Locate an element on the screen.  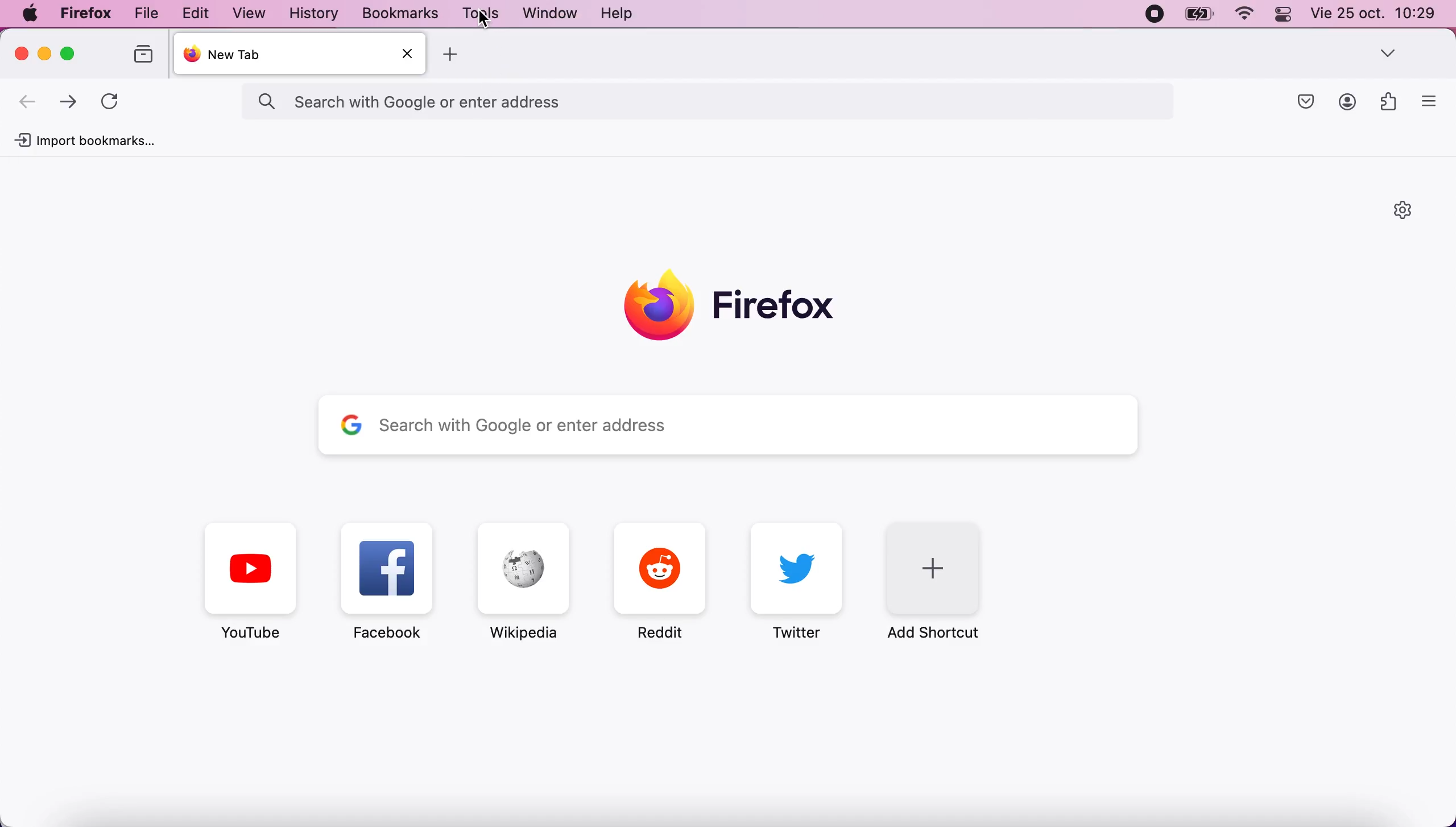
Bookmarks is located at coordinates (400, 13).